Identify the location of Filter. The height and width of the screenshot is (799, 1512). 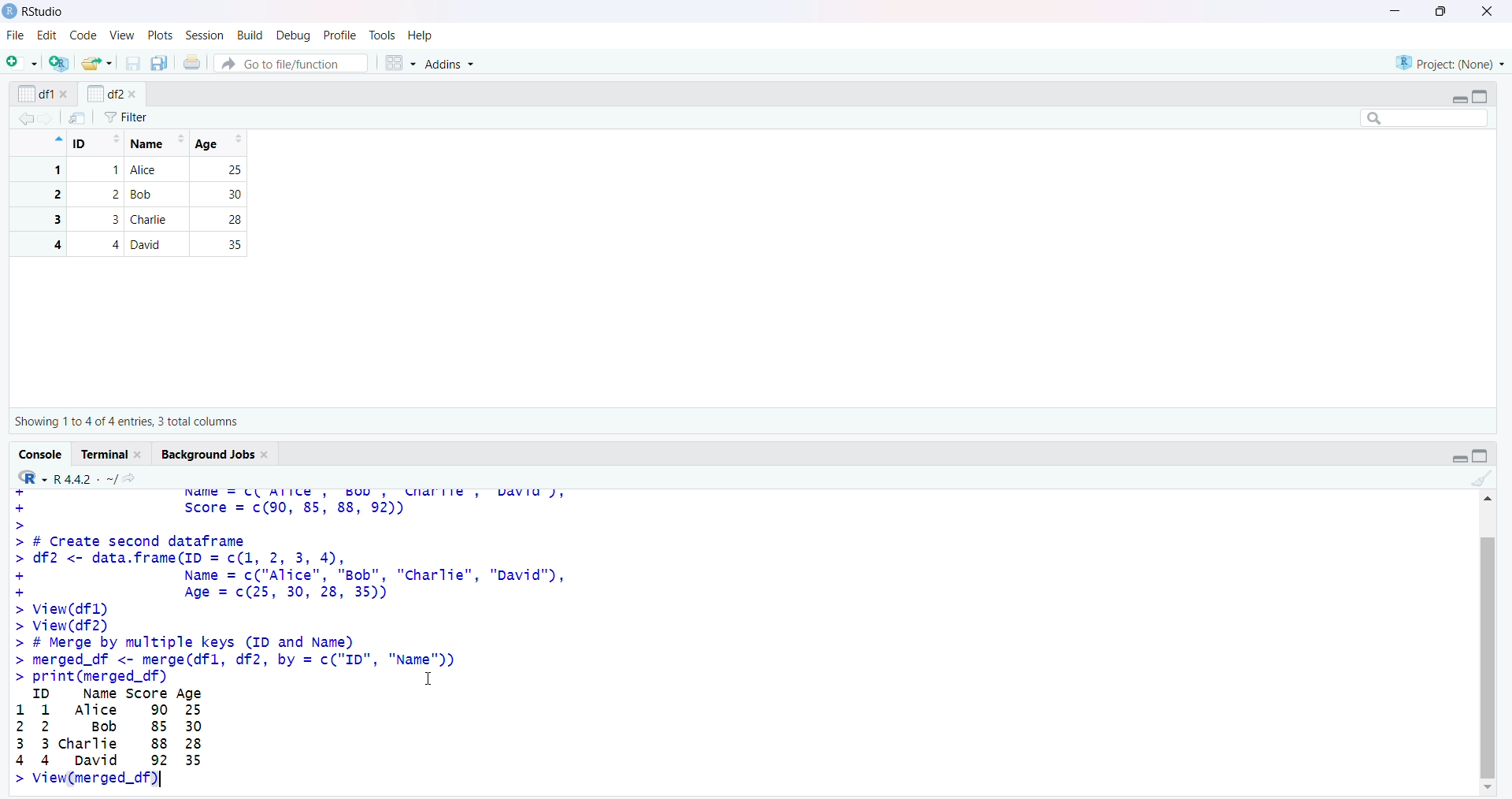
(126, 117).